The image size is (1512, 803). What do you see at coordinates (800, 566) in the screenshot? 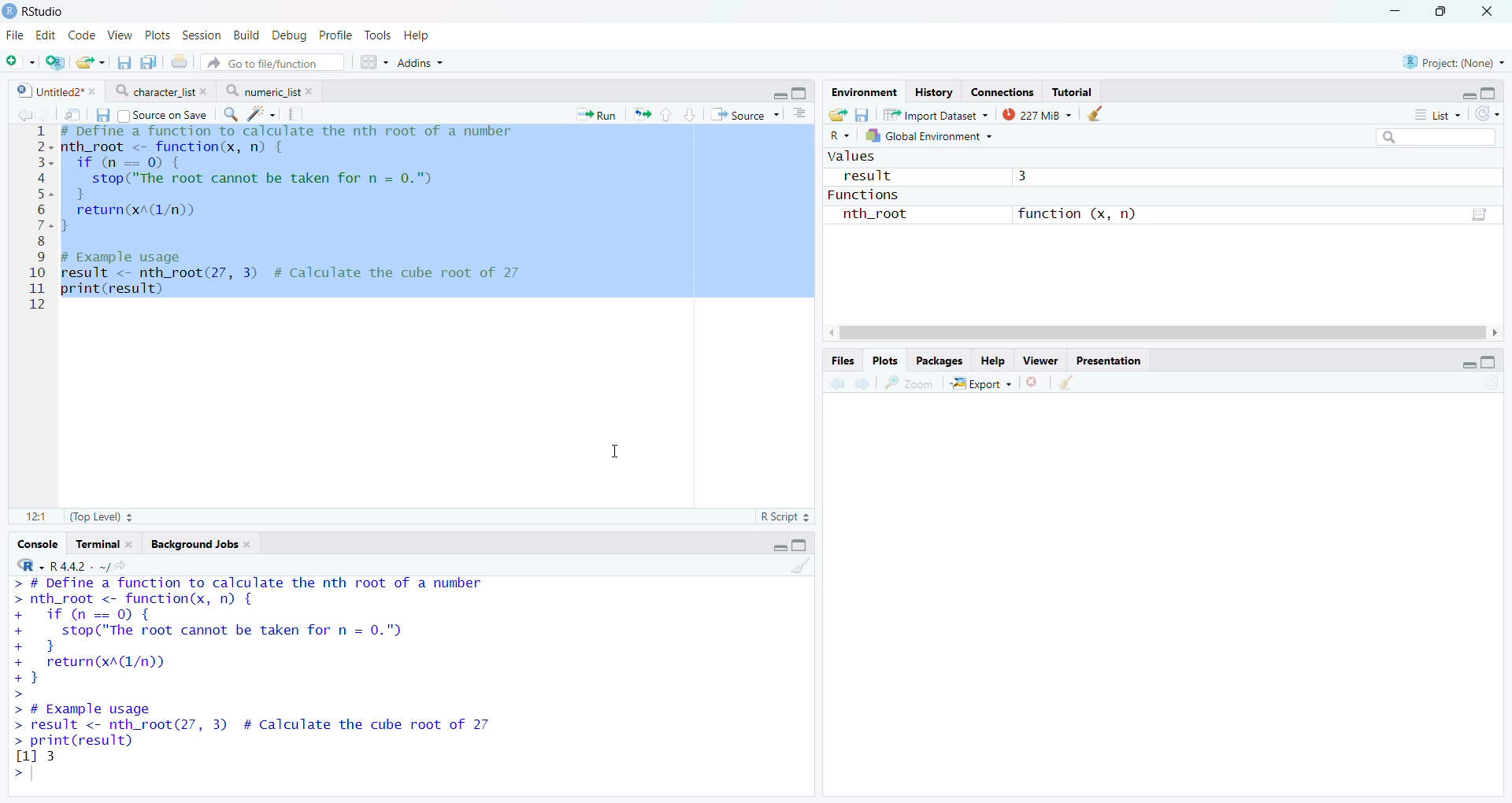
I see `Clear` at bounding box center [800, 566].